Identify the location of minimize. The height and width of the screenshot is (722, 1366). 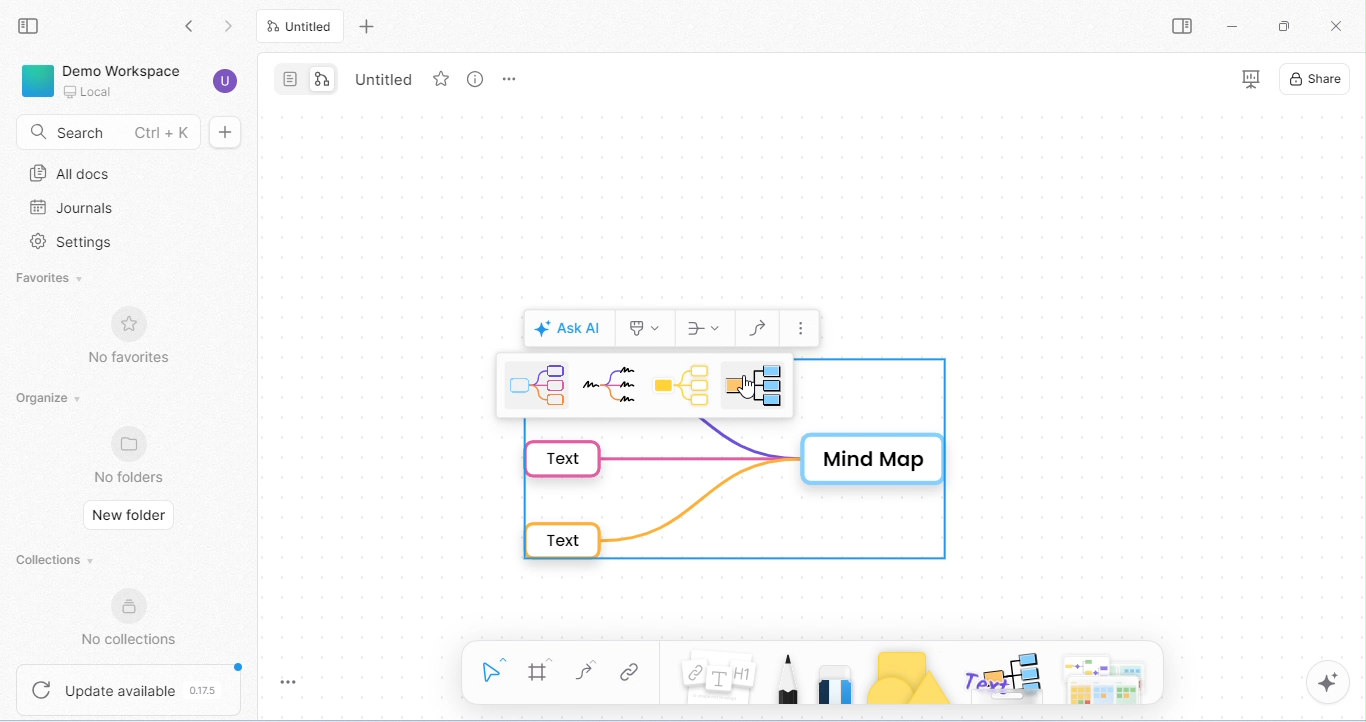
(1237, 28).